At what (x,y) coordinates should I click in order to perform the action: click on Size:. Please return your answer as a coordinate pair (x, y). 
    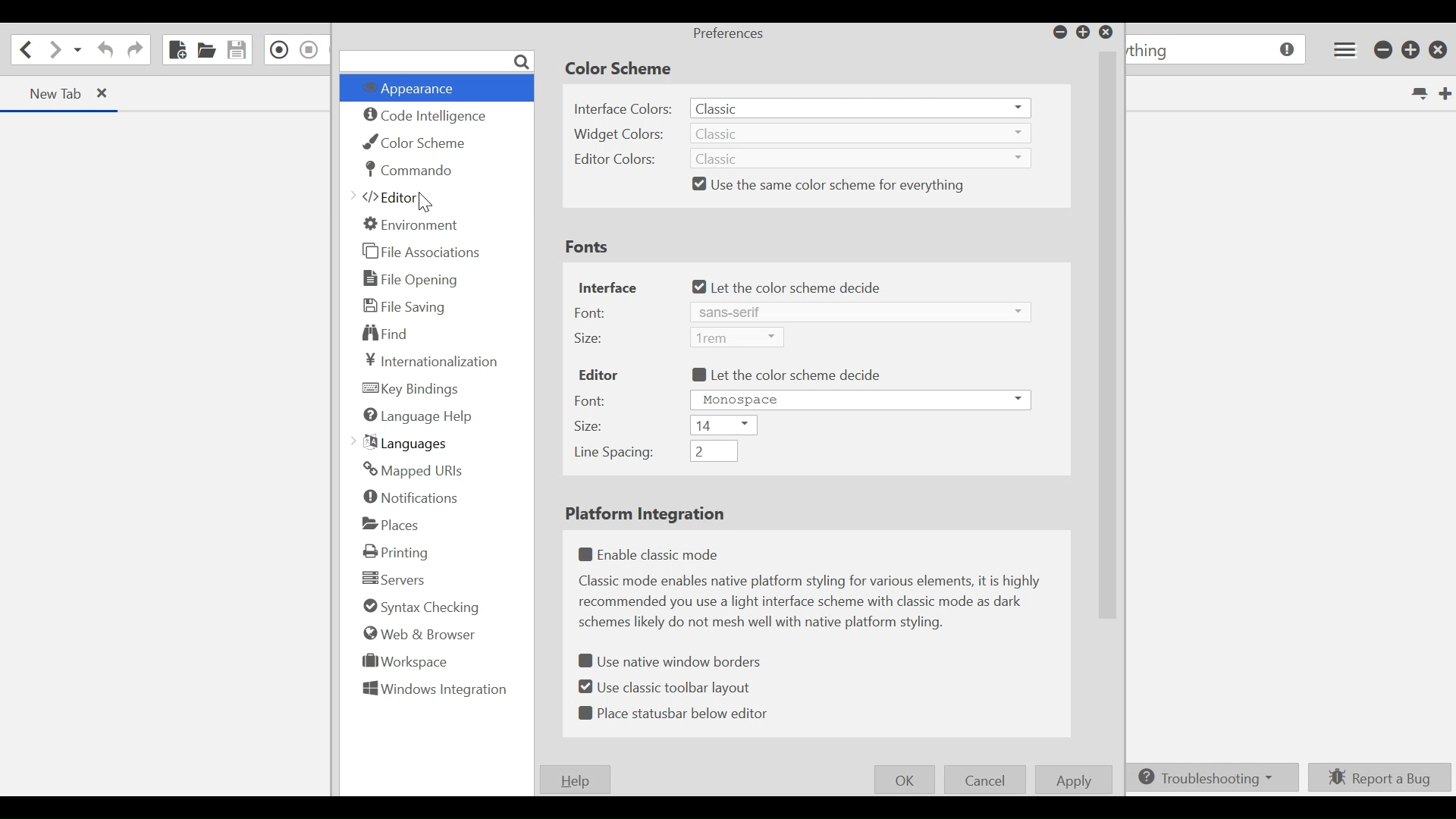
    Looking at the image, I should click on (598, 336).